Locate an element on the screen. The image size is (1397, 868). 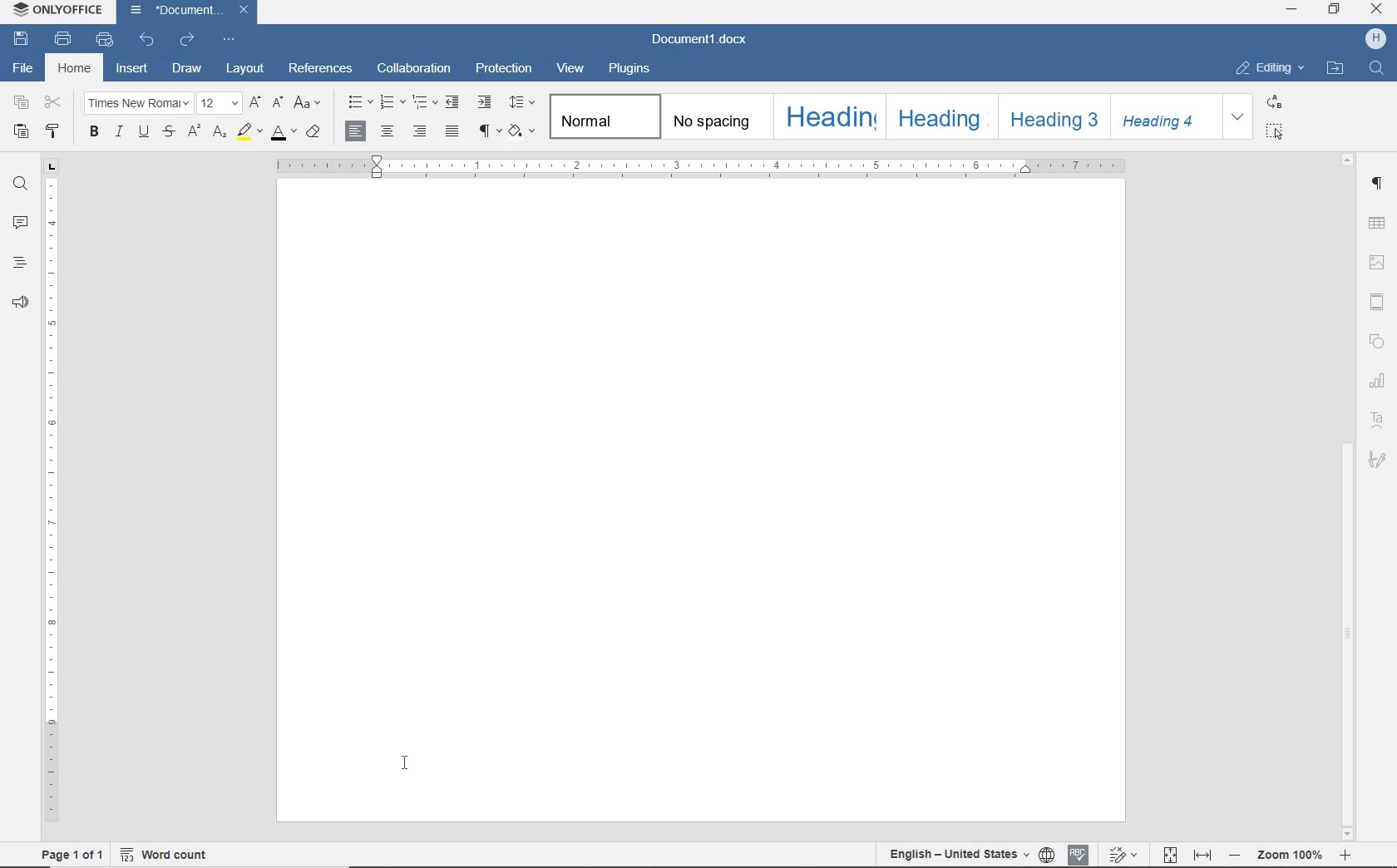
numbering is located at coordinates (393, 104).